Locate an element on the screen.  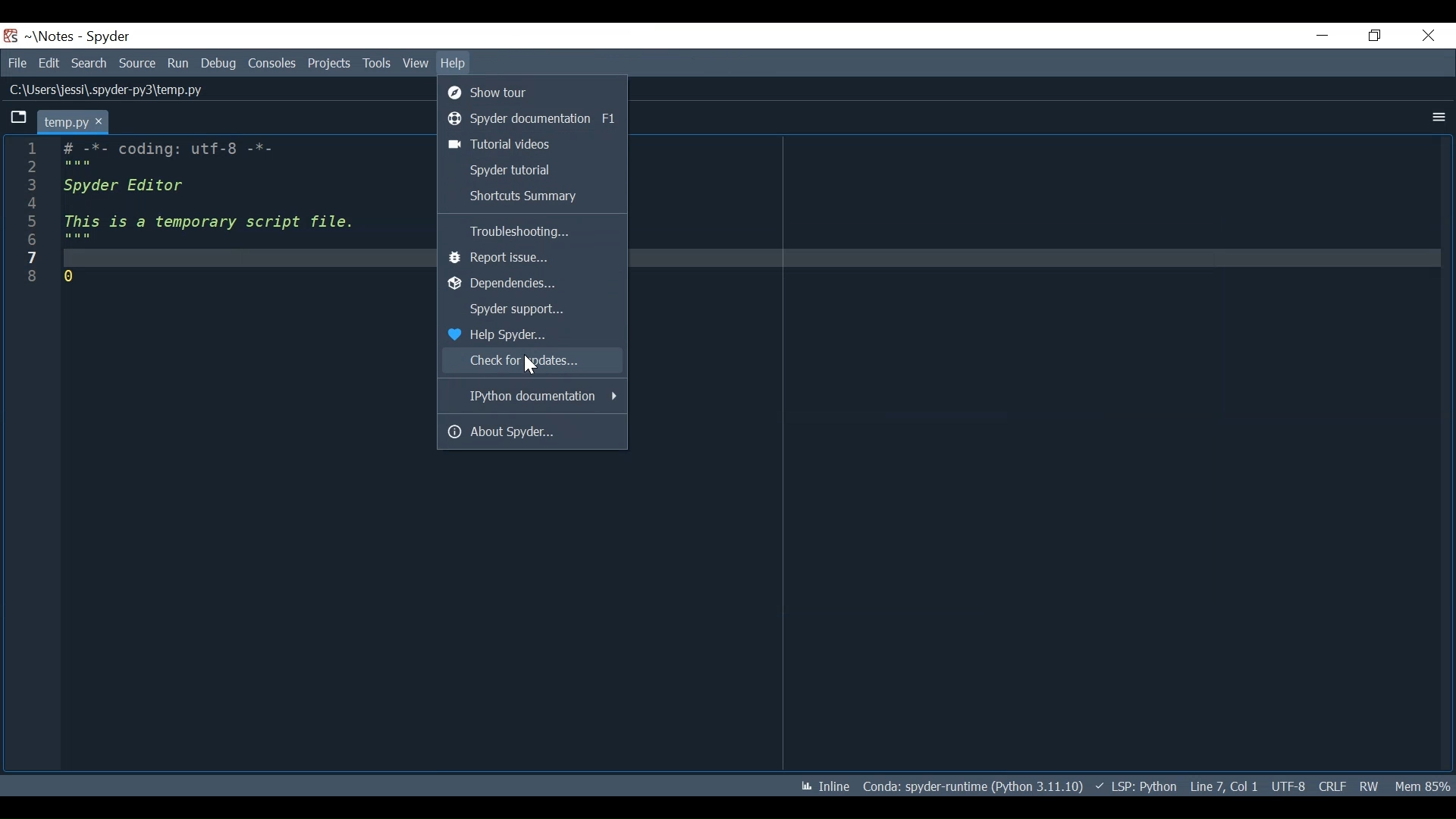
Help Spyder is located at coordinates (526, 335).